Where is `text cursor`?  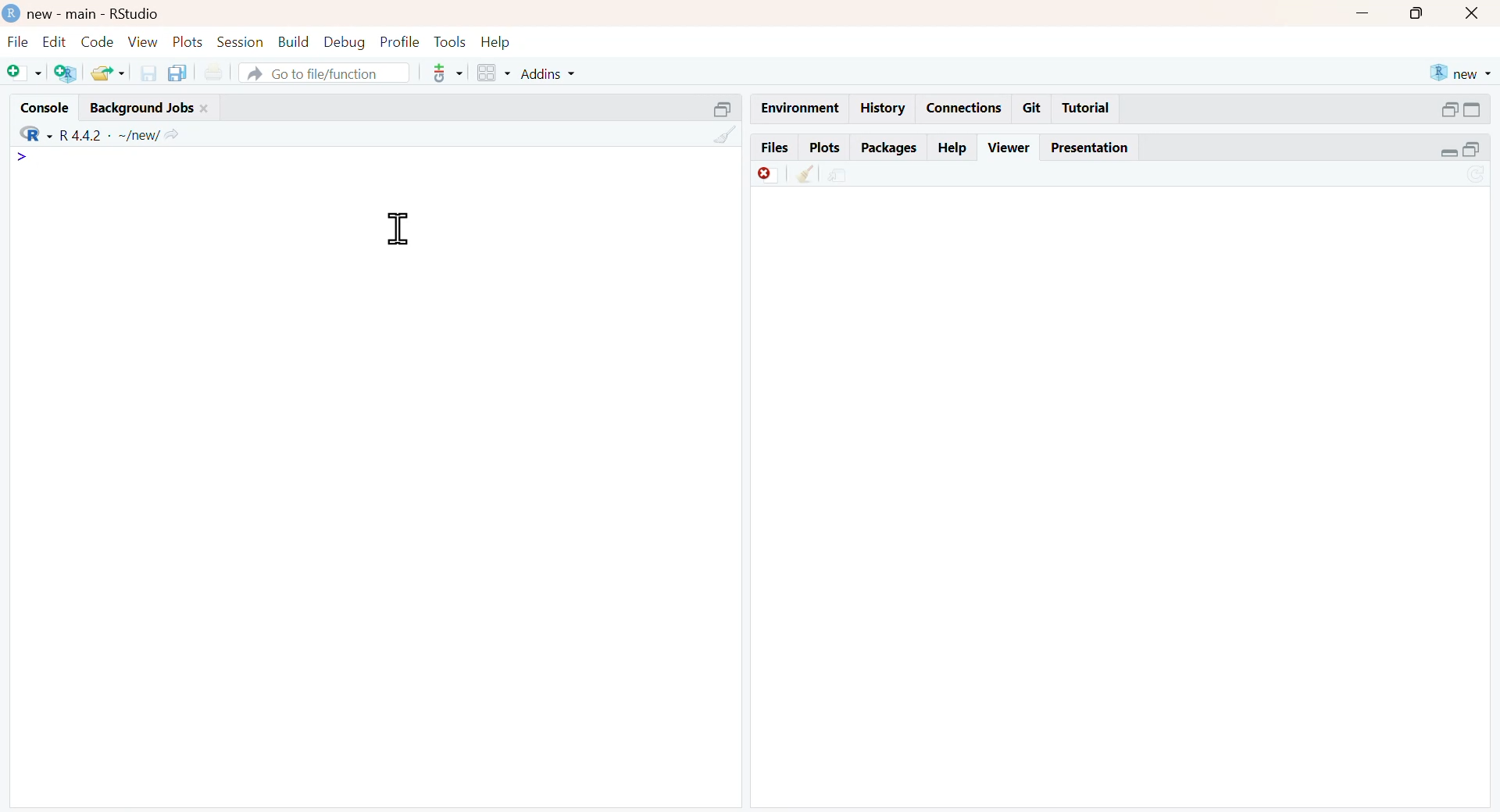
text cursor is located at coordinates (395, 229).